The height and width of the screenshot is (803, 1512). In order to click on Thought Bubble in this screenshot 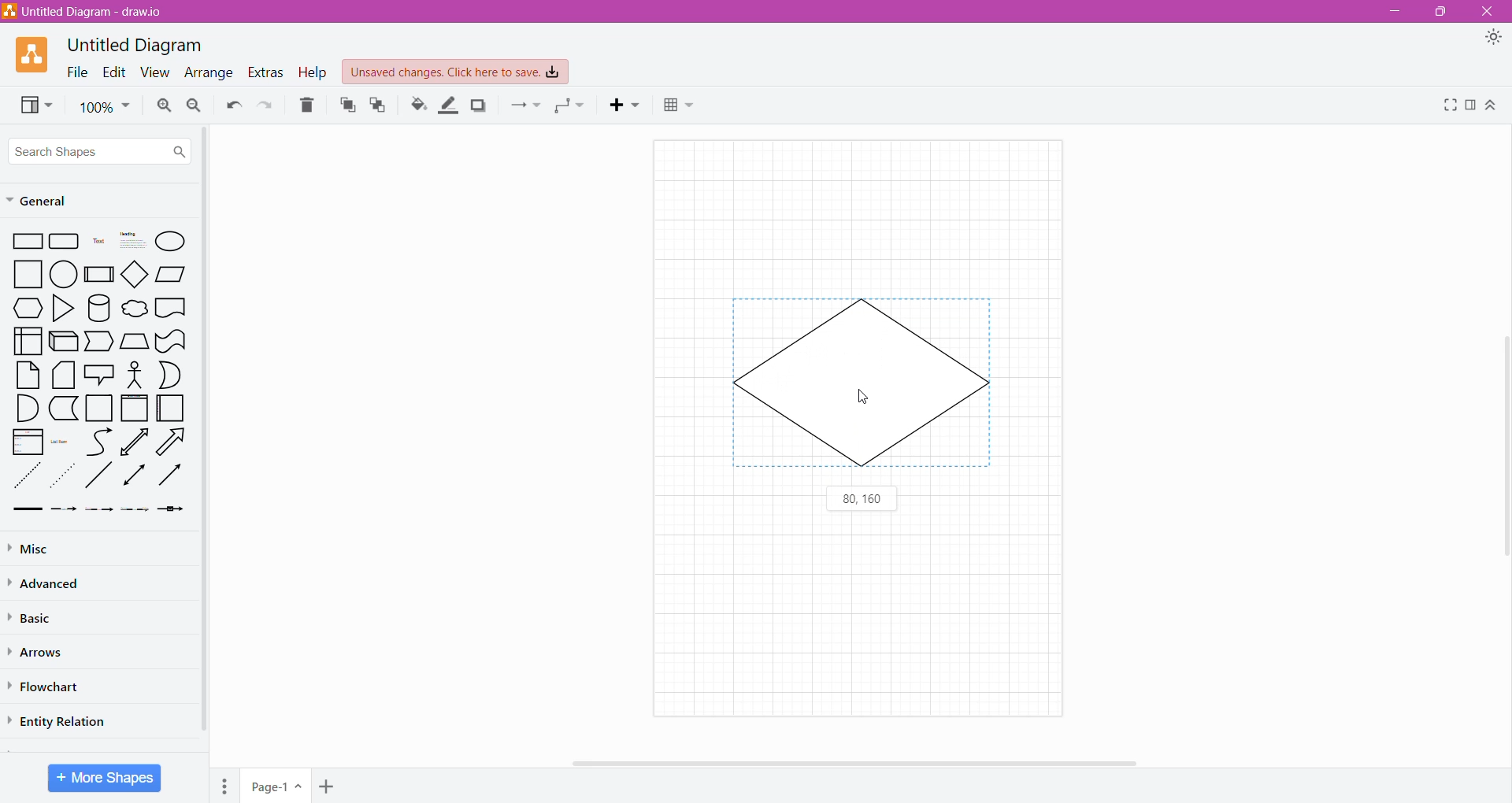, I will do `click(134, 310)`.